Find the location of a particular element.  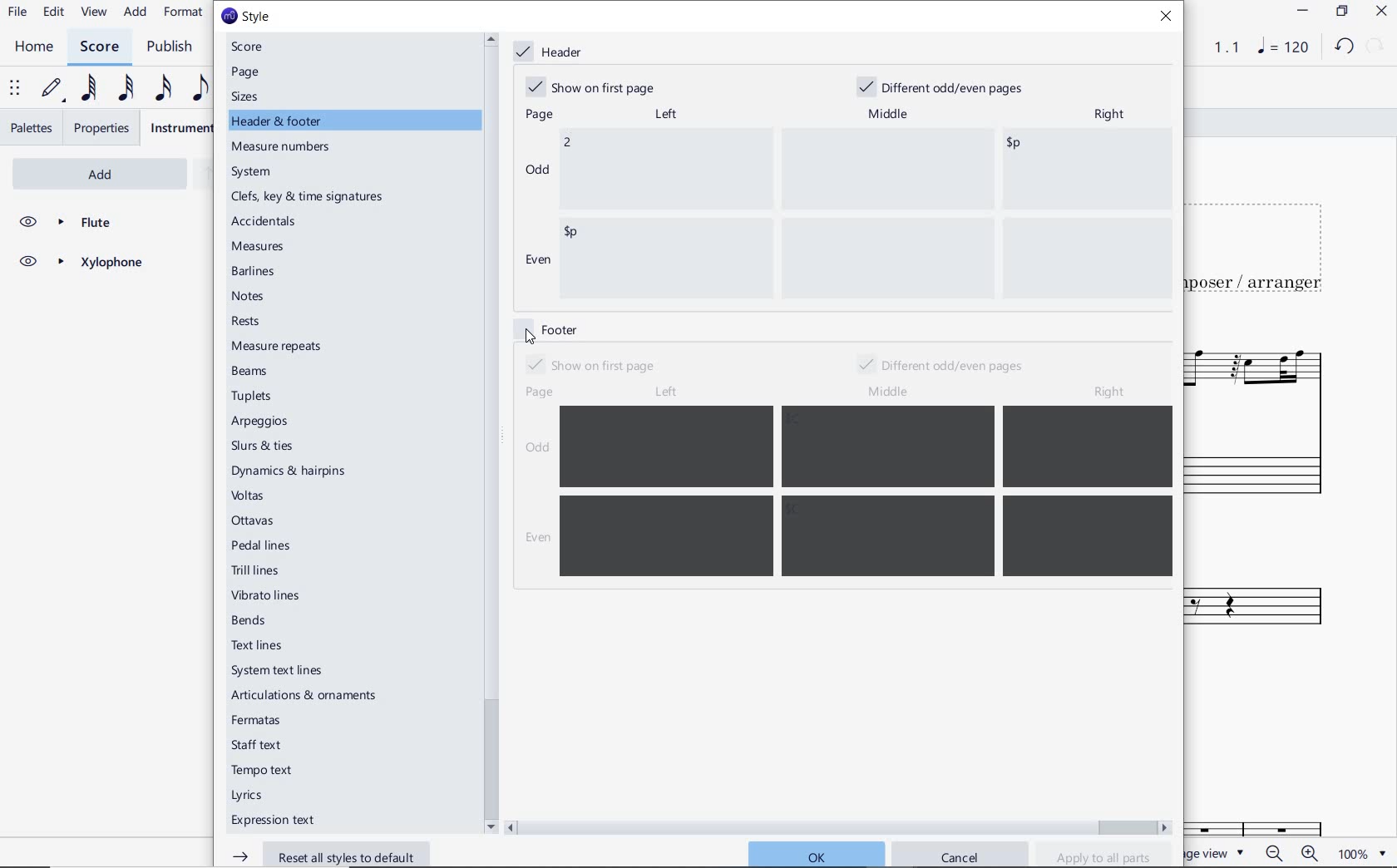

ok is located at coordinates (815, 853).